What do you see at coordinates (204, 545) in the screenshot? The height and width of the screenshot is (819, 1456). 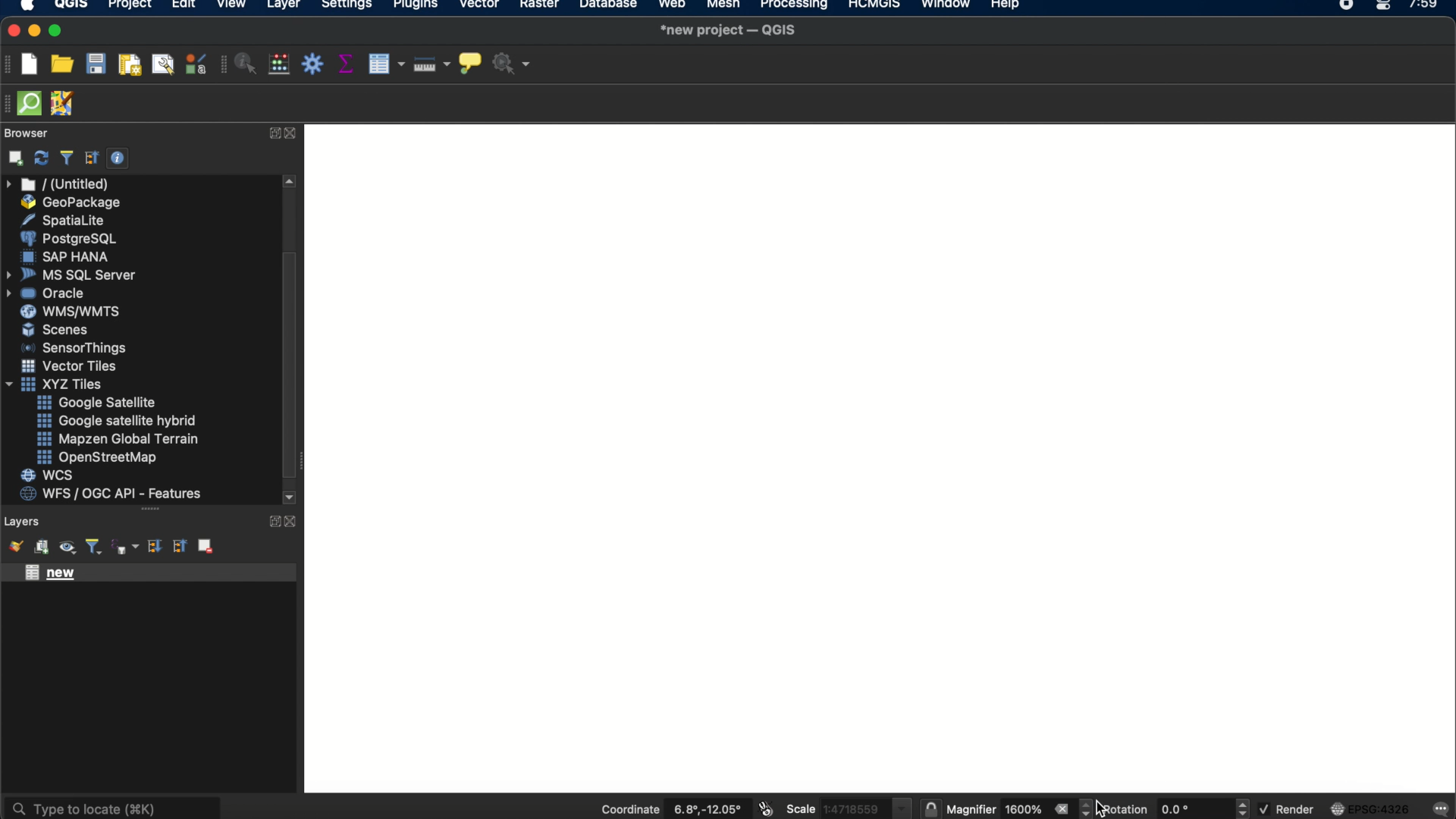 I see `remove layer group` at bounding box center [204, 545].